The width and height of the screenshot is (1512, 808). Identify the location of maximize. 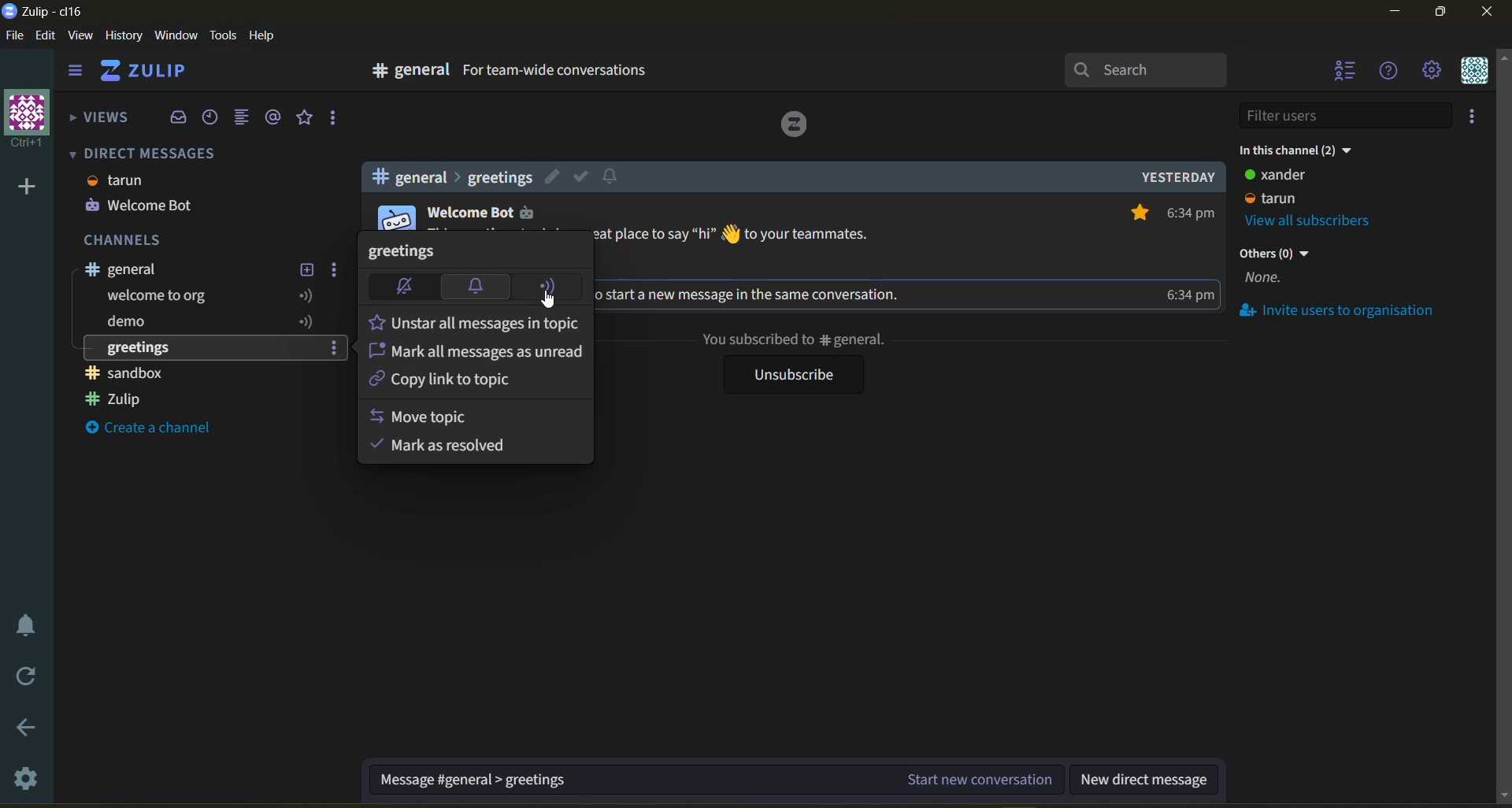
(1442, 13).